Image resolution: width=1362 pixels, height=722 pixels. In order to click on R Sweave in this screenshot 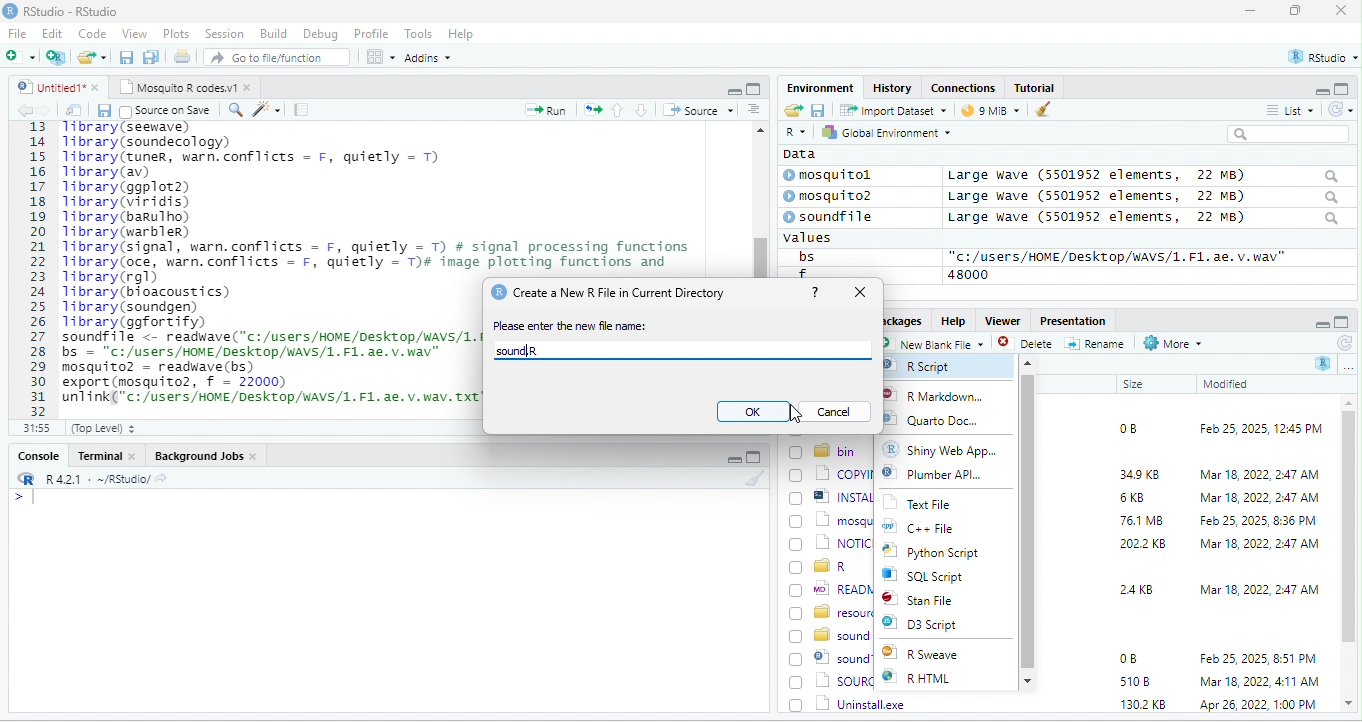, I will do `click(937, 655)`.